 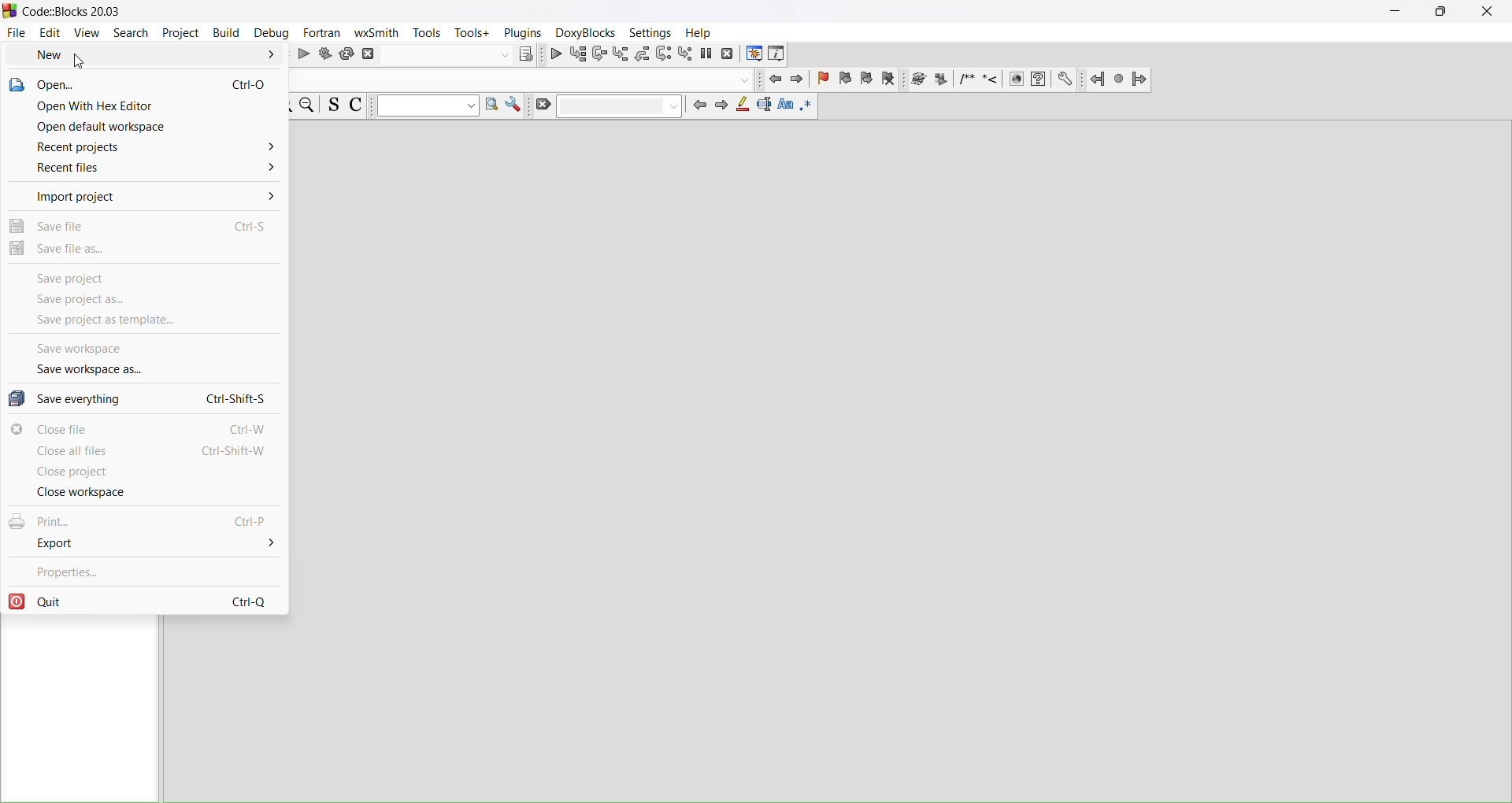 What do you see at coordinates (323, 34) in the screenshot?
I see `fortran` at bounding box center [323, 34].